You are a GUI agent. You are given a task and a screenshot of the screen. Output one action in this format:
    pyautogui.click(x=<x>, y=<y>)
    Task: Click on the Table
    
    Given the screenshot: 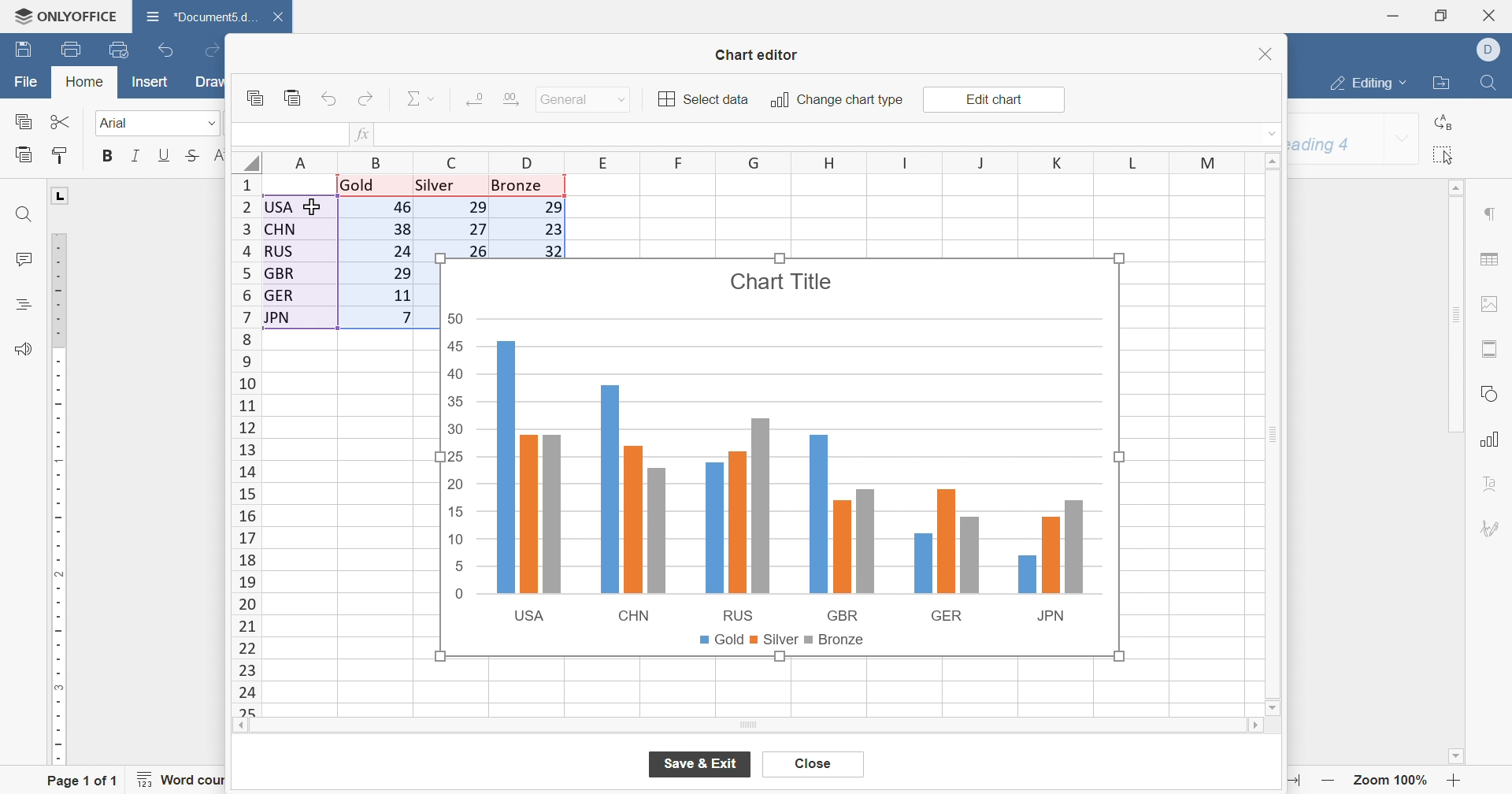 What is the action you would take?
    pyautogui.click(x=348, y=250)
    